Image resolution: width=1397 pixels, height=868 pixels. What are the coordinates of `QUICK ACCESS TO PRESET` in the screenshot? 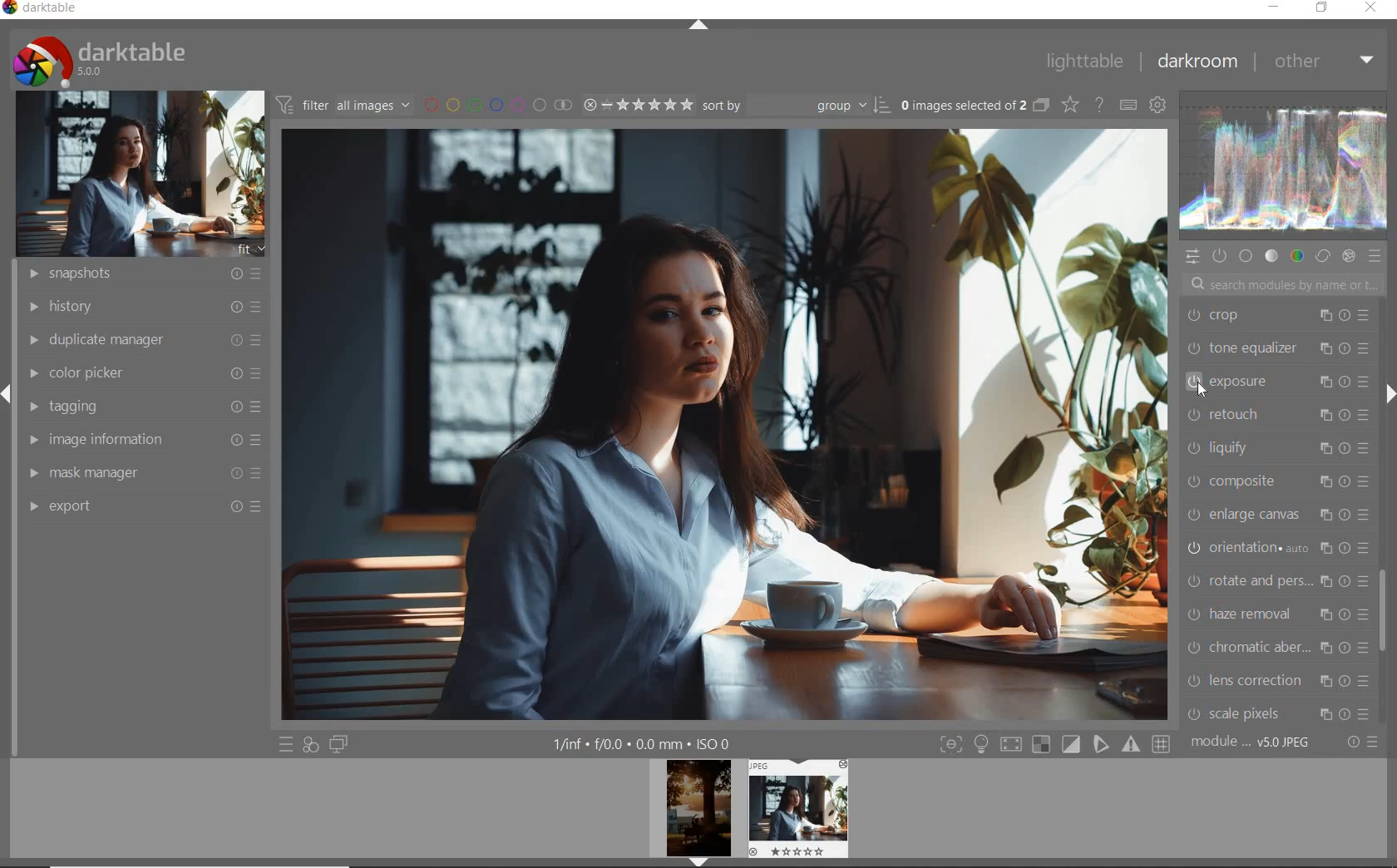 It's located at (285, 743).